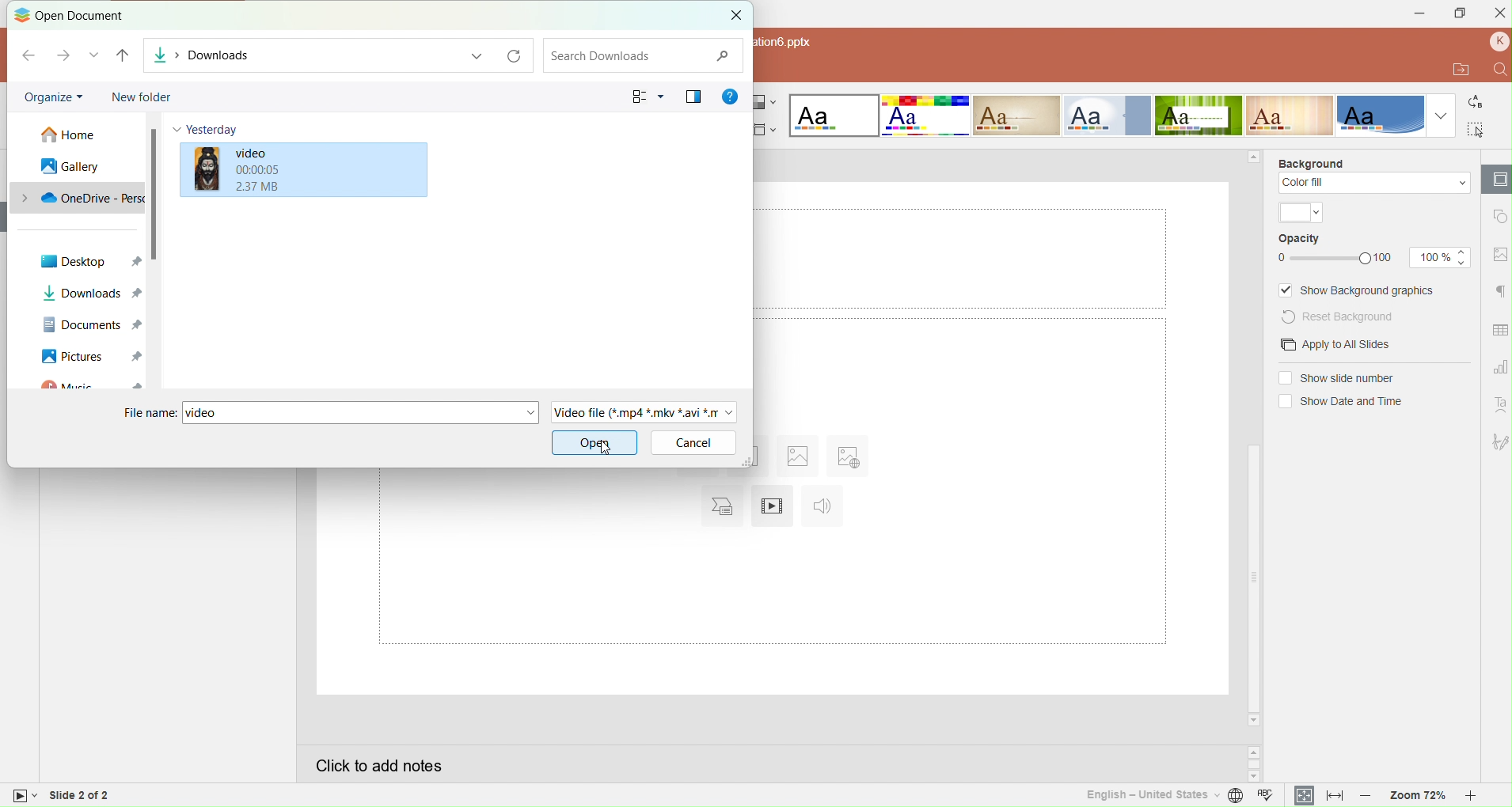 This screenshot has height=807, width=1512. Describe the element at coordinates (210, 130) in the screenshot. I see `Yesterday` at that location.